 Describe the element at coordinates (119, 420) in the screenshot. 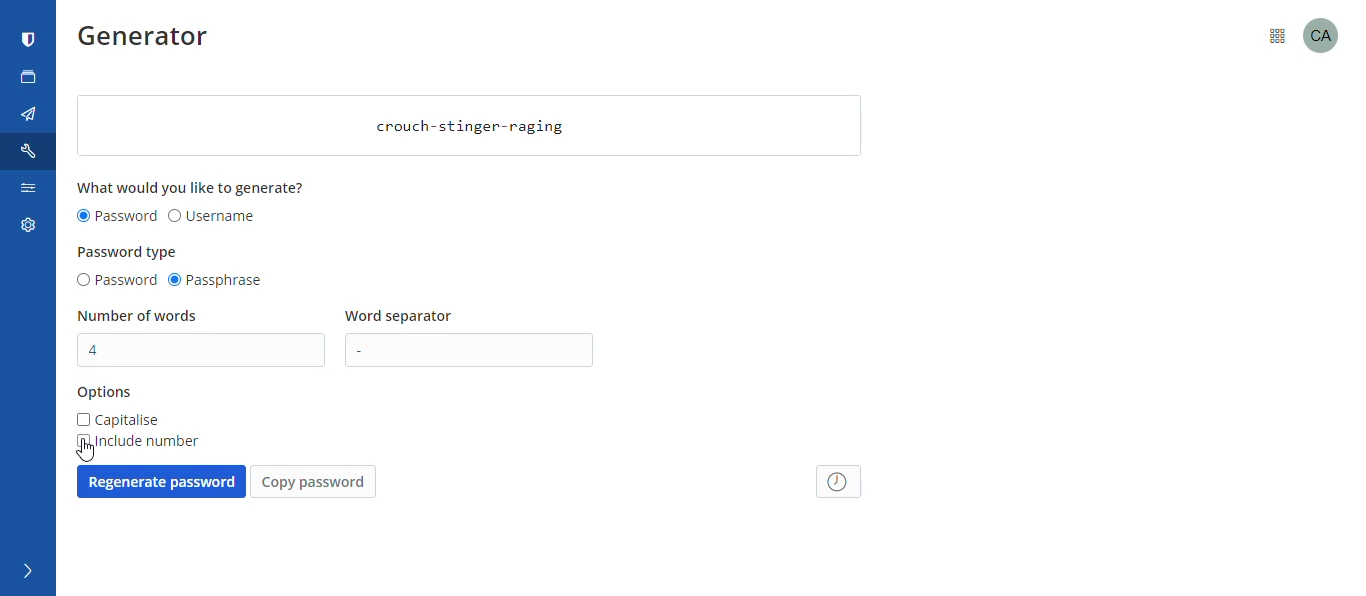

I see `capitalise checkbox` at that location.